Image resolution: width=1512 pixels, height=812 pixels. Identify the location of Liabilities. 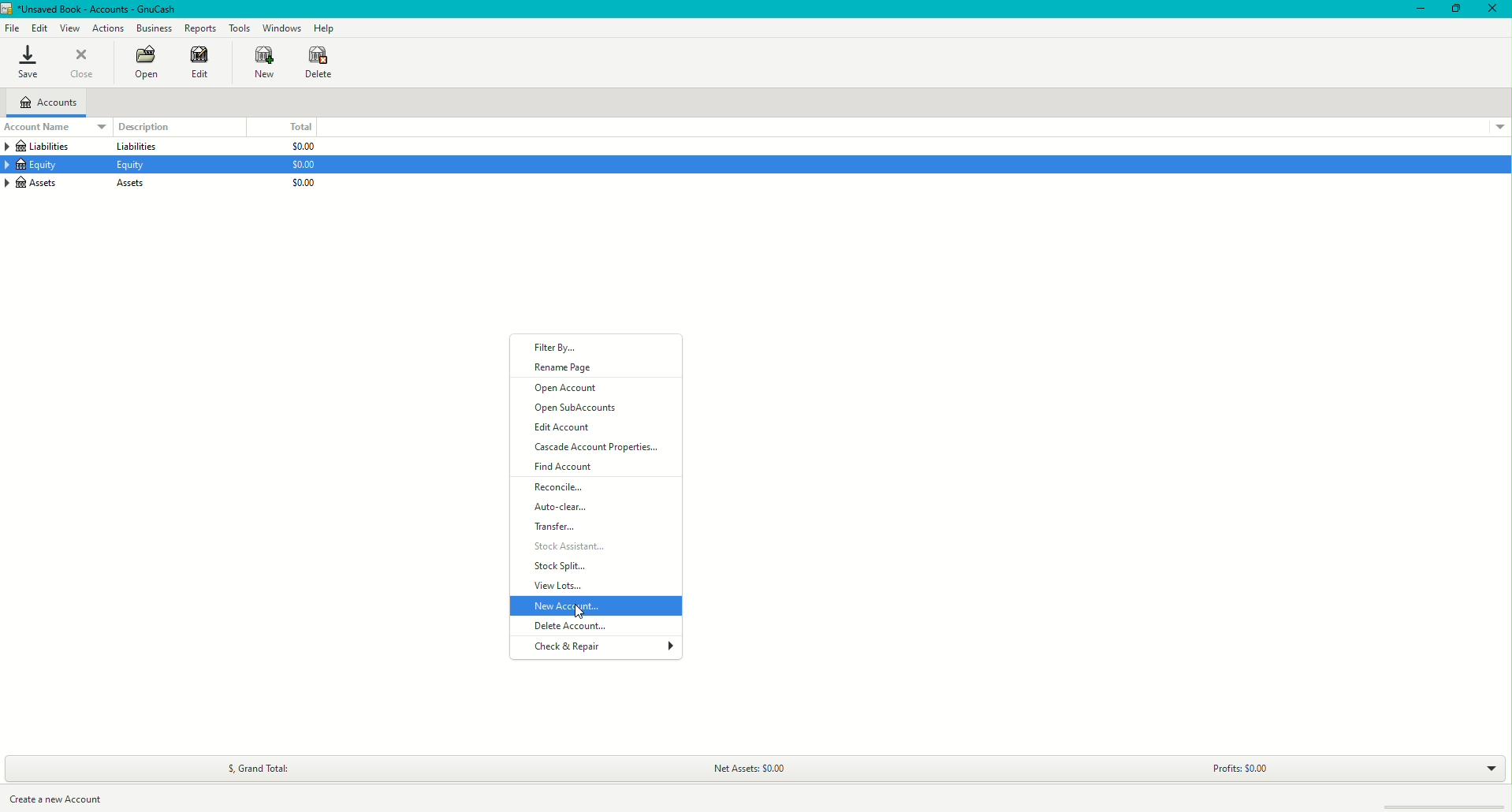
(46, 147).